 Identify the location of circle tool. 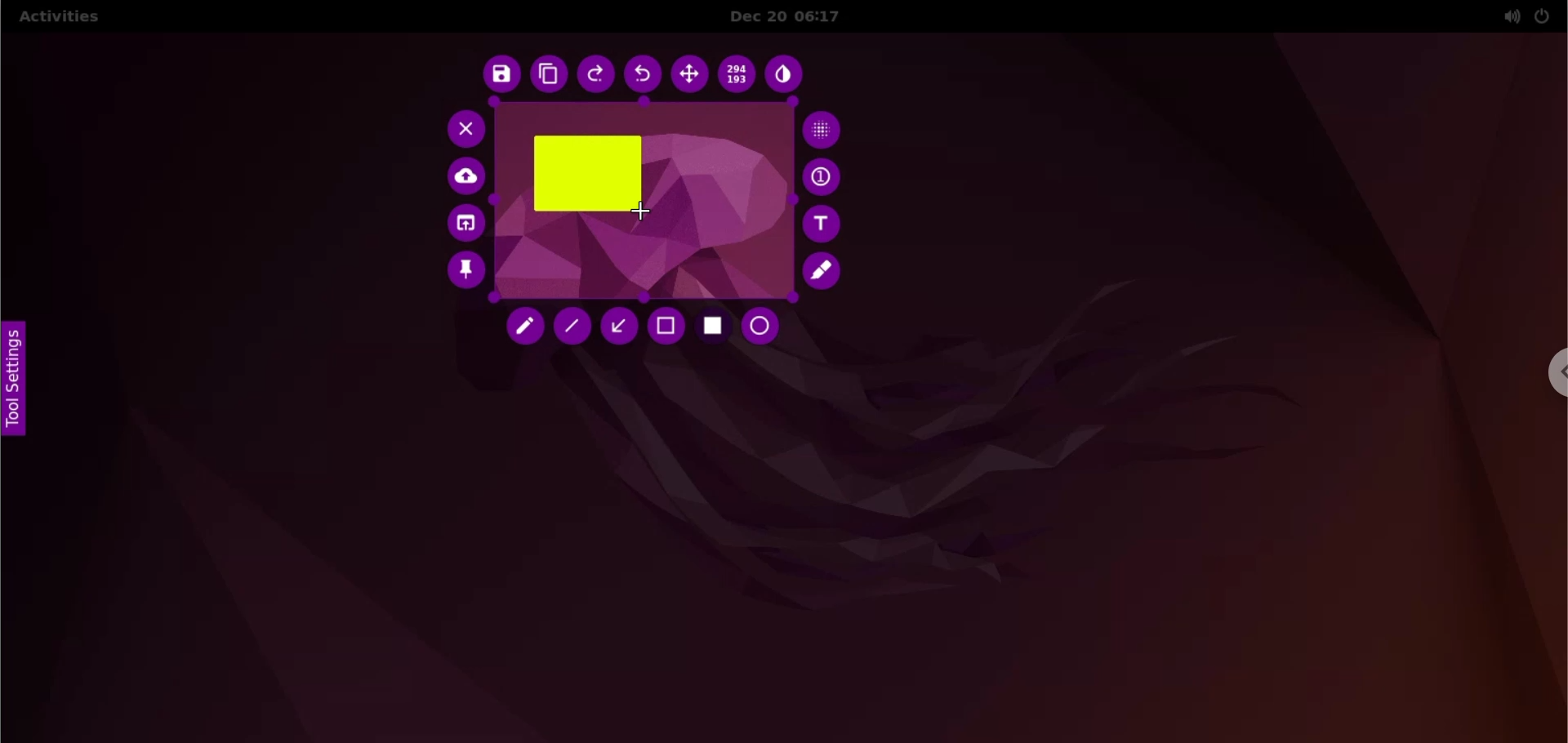
(765, 327).